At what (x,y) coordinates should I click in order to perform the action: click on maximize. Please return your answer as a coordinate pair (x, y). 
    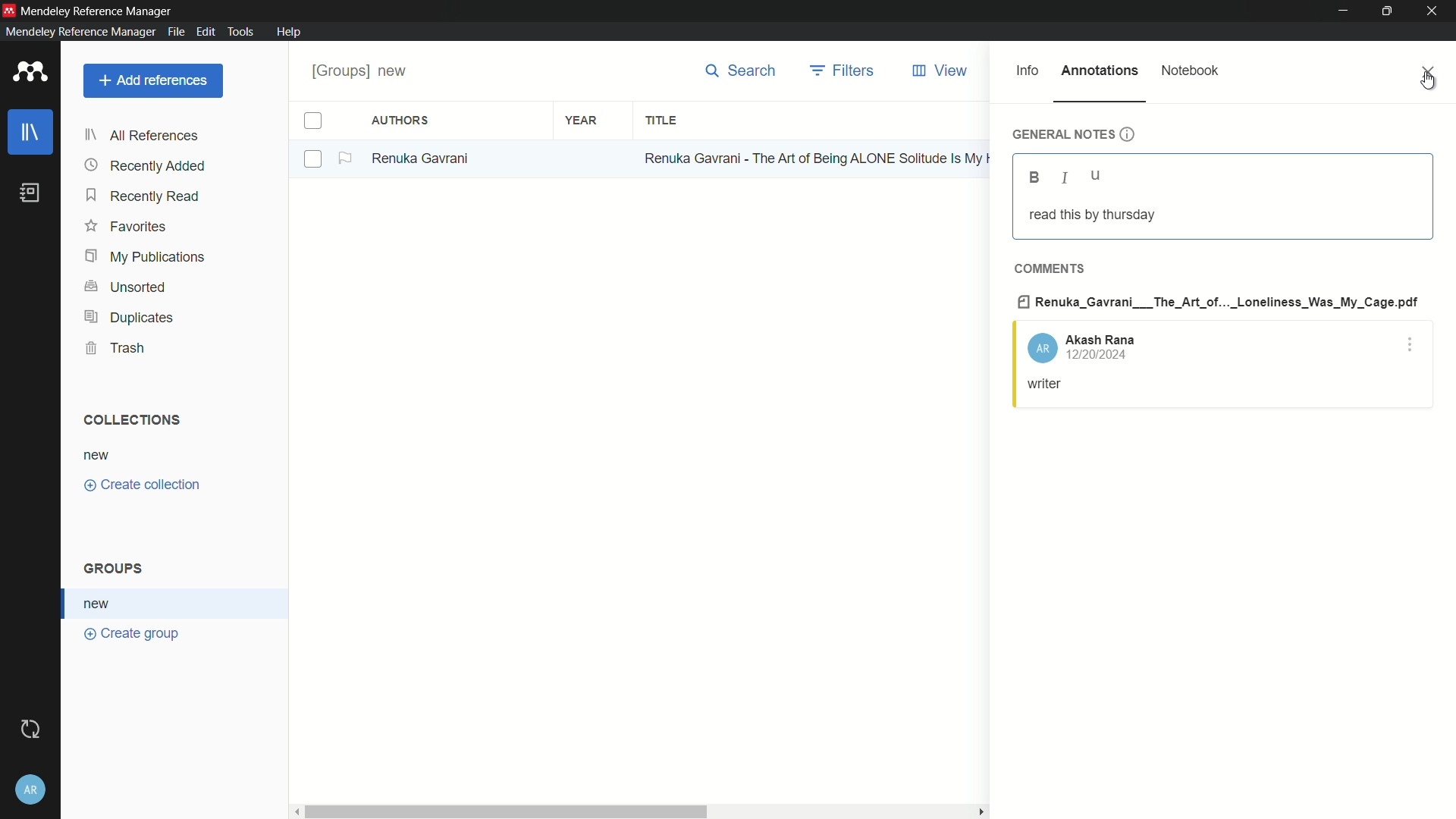
    Looking at the image, I should click on (1389, 11).